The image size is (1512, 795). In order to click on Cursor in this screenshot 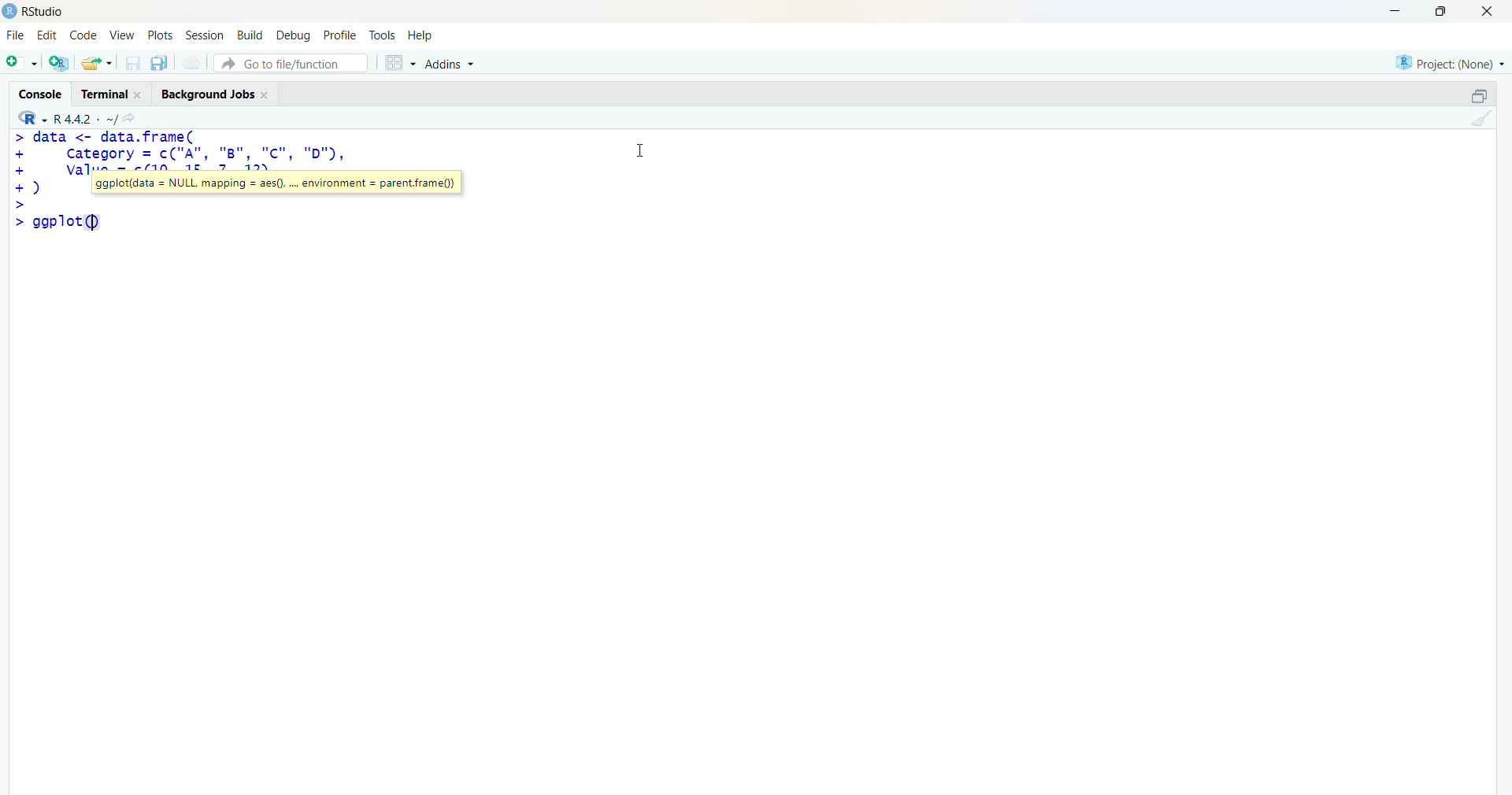, I will do `click(641, 148)`.